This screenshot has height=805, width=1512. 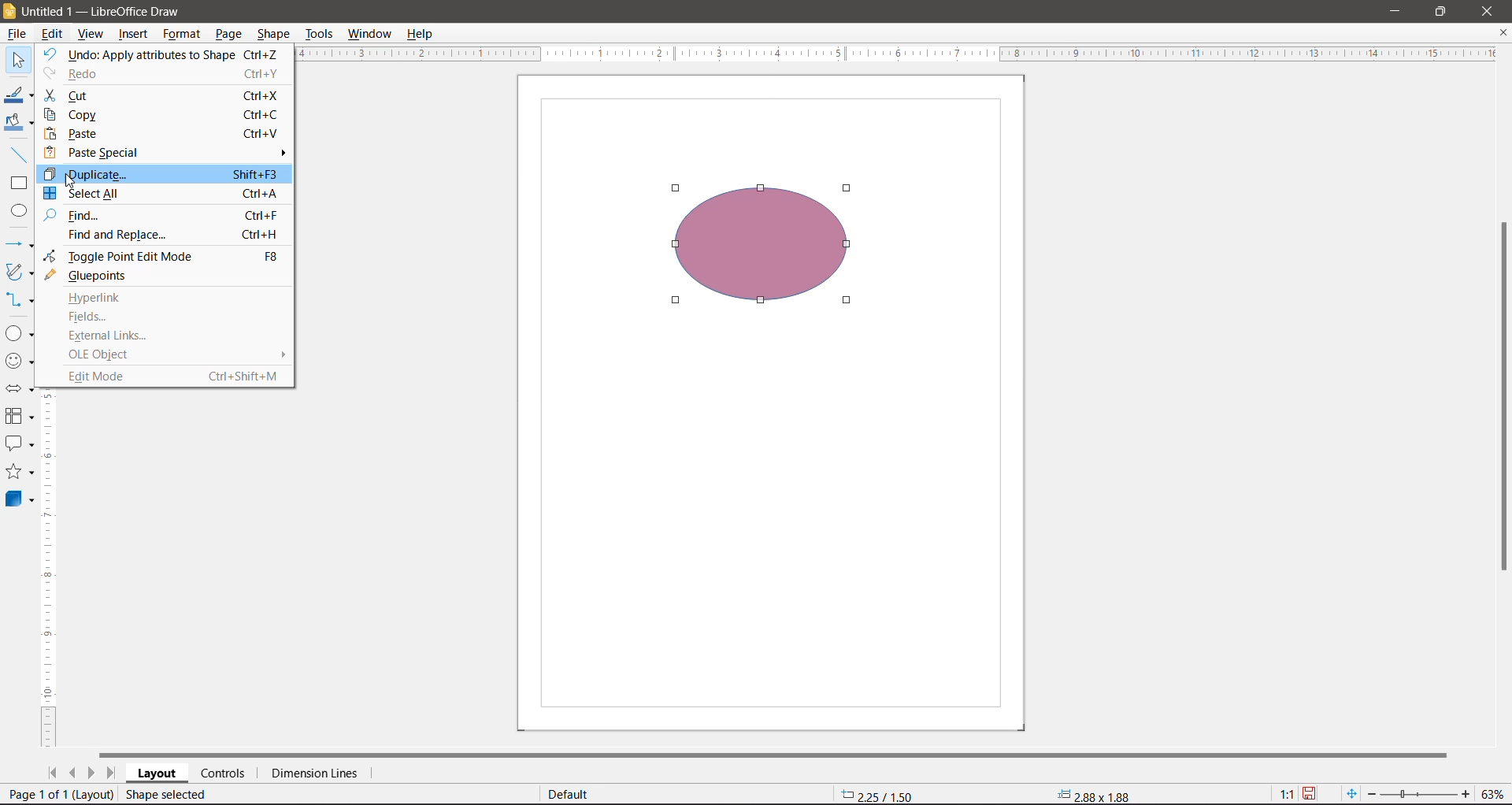 I want to click on Window, so click(x=371, y=34).